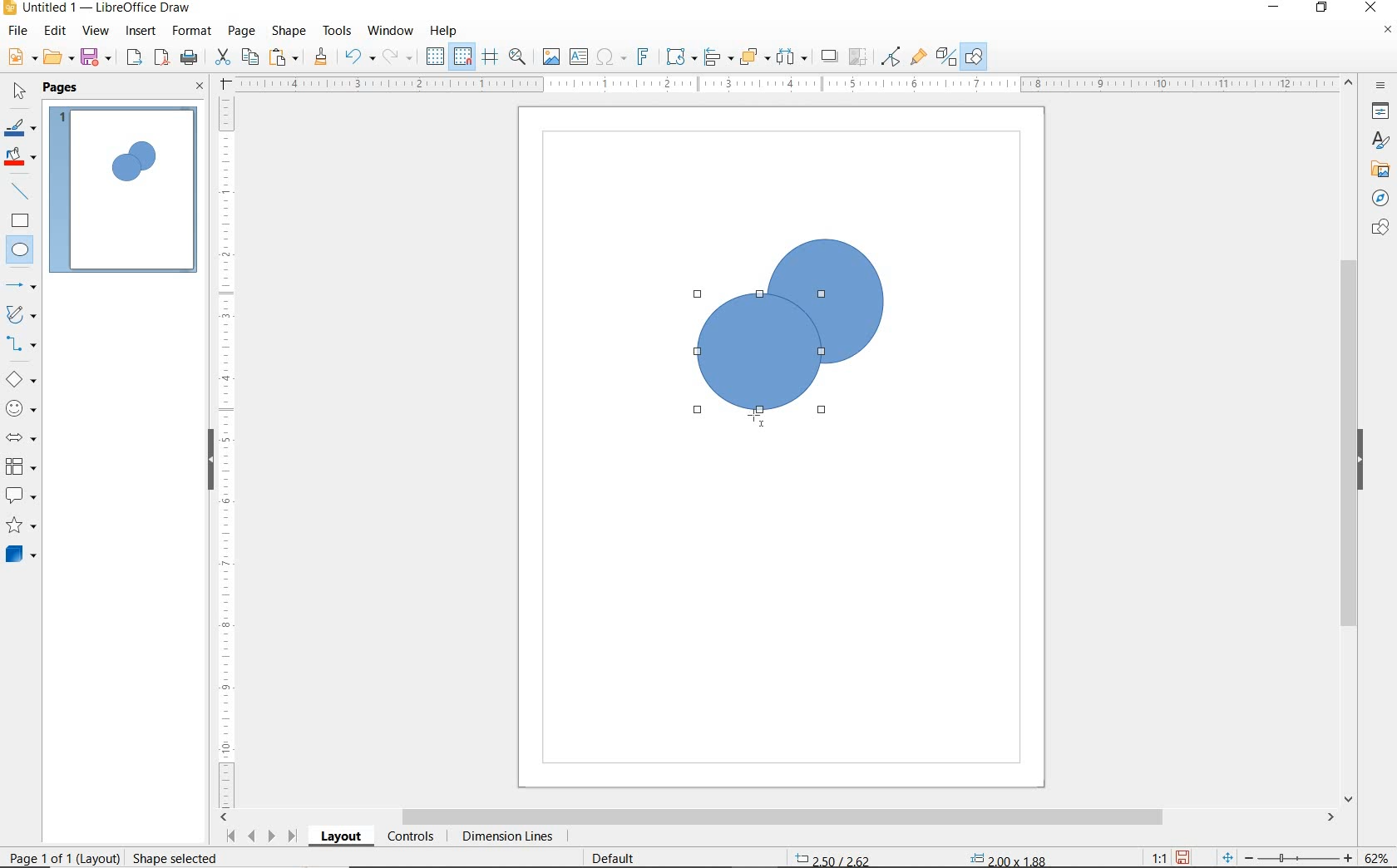 This screenshot has height=868, width=1397. Describe the element at coordinates (490, 57) in the screenshot. I see `HELPLINES WHILE MOVING` at that location.